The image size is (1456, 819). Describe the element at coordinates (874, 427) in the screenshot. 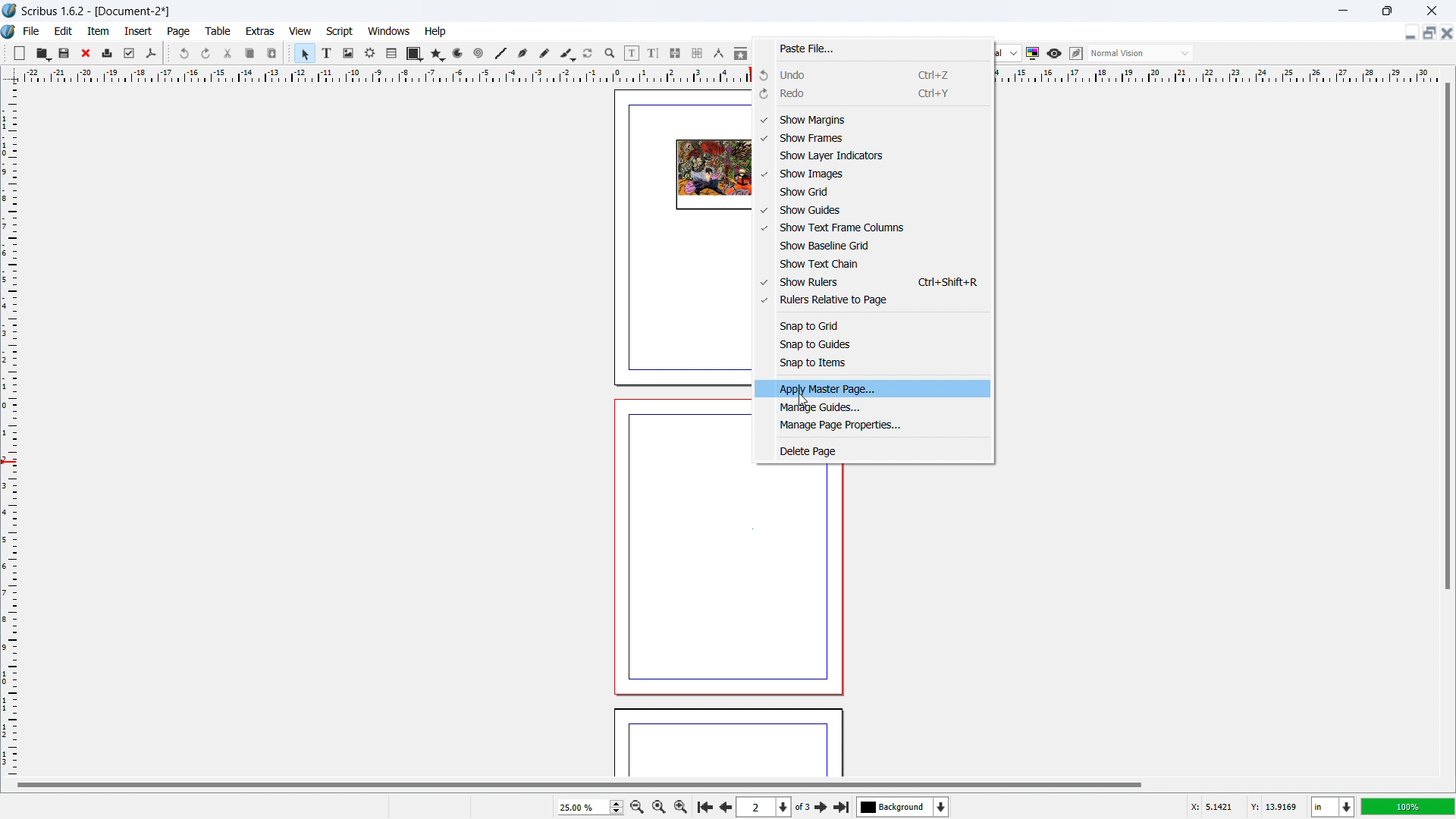

I see `manage page properties` at that location.